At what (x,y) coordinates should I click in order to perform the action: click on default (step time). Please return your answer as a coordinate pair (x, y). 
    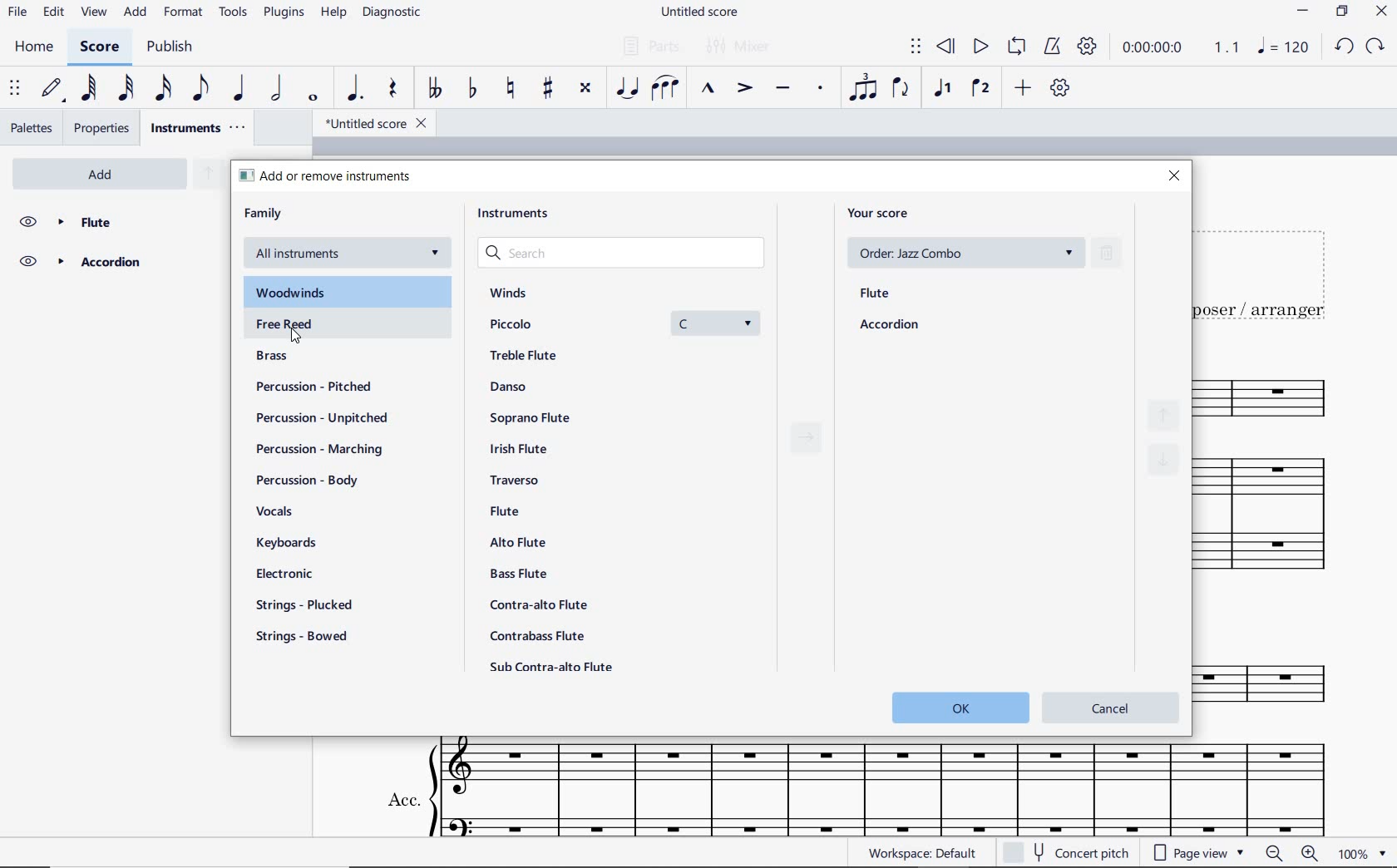
    Looking at the image, I should click on (51, 89).